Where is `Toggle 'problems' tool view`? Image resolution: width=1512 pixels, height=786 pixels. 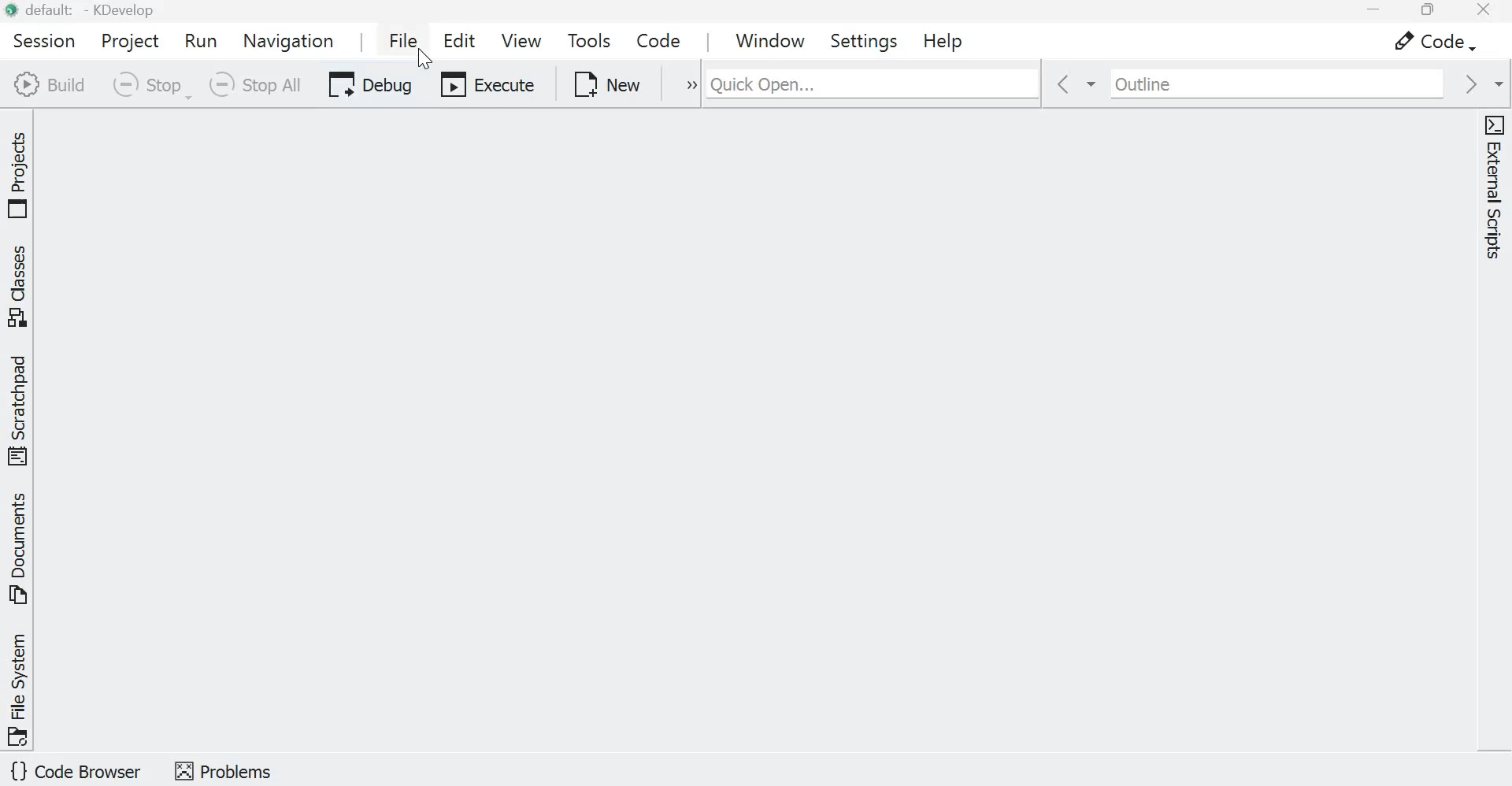
Toggle 'problems' tool view is located at coordinates (223, 769).